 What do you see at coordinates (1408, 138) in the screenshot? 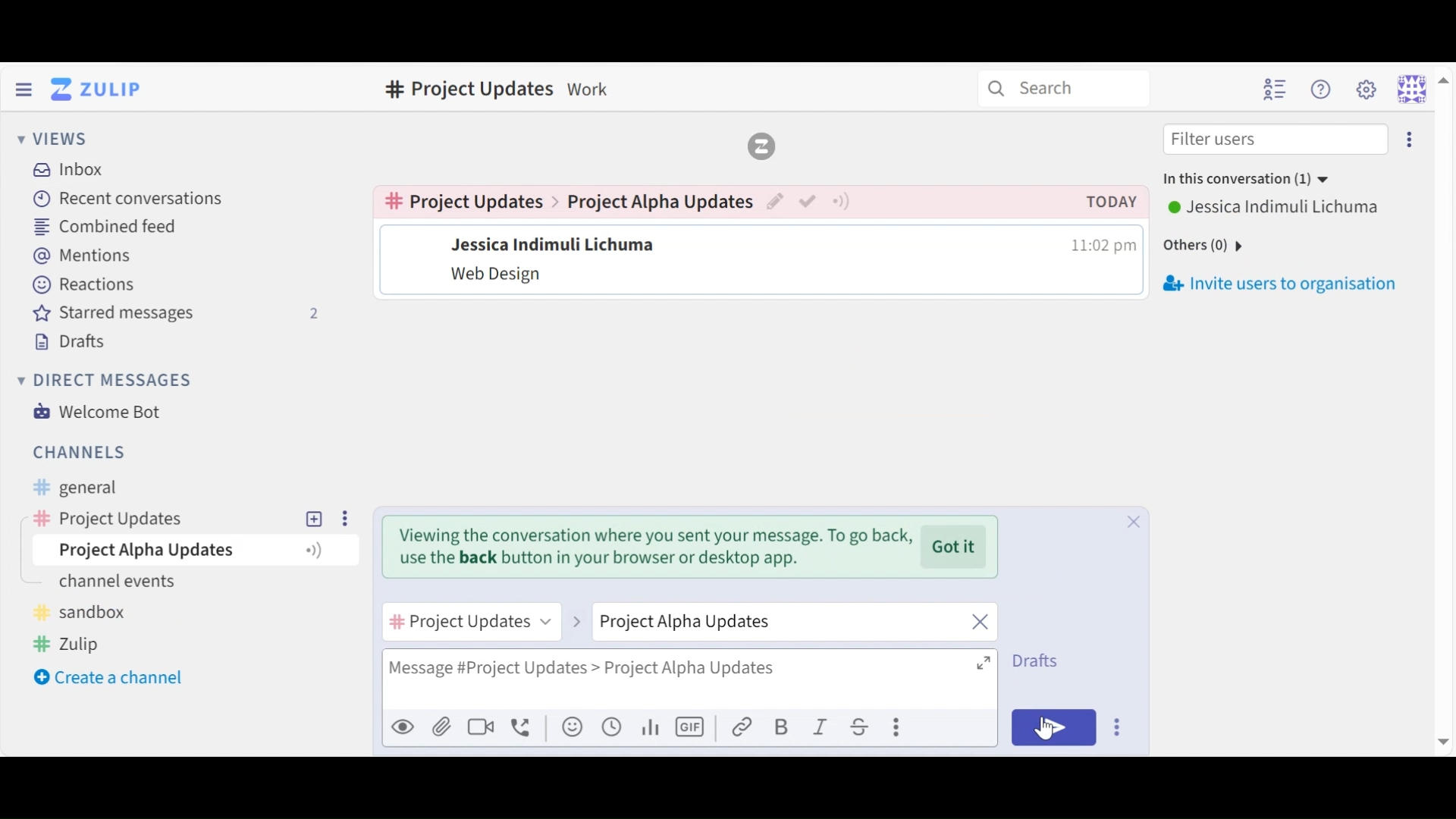
I see `Invite users too organisation` at bounding box center [1408, 138].